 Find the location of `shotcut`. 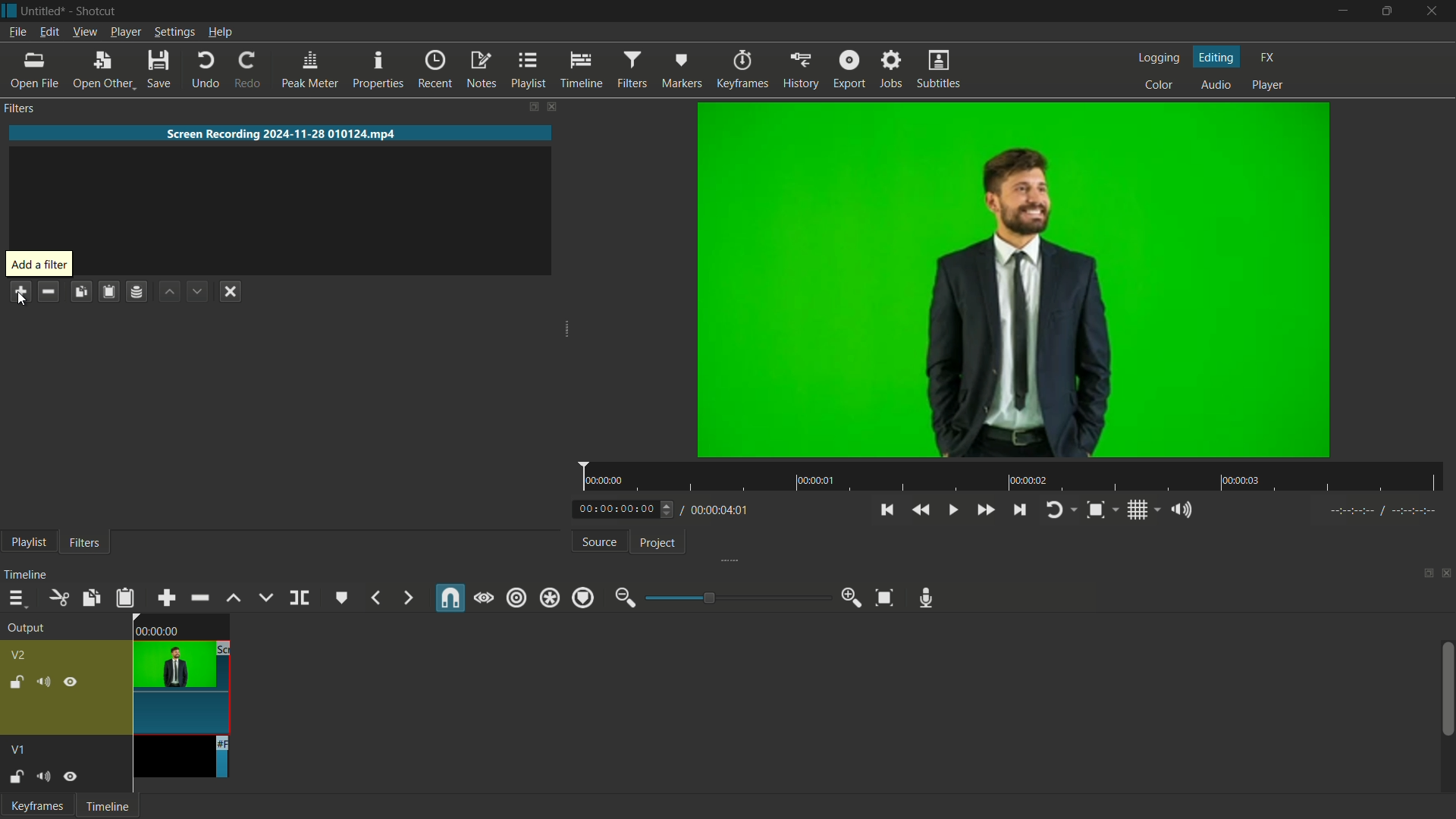

shotcut is located at coordinates (96, 11).